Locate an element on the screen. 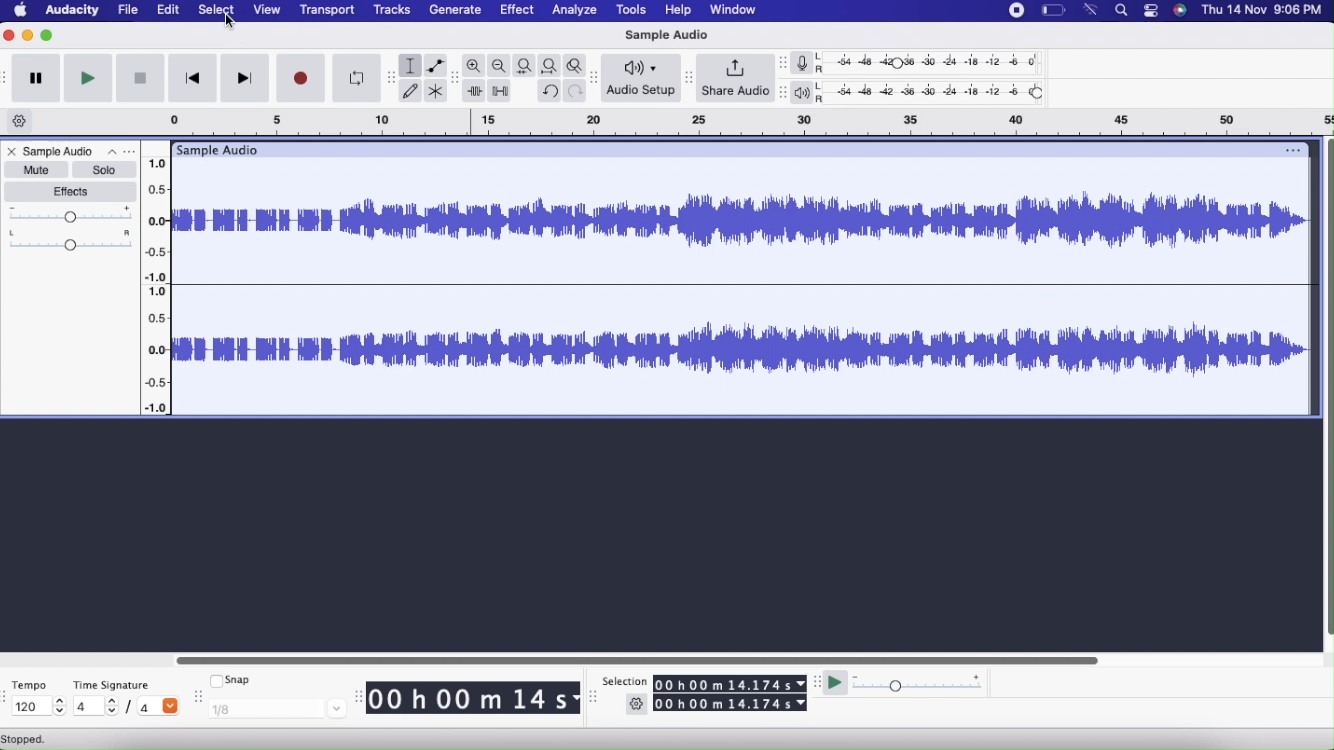 This screenshot has height=750, width=1334. Sample Audio is located at coordinates (749, 279).